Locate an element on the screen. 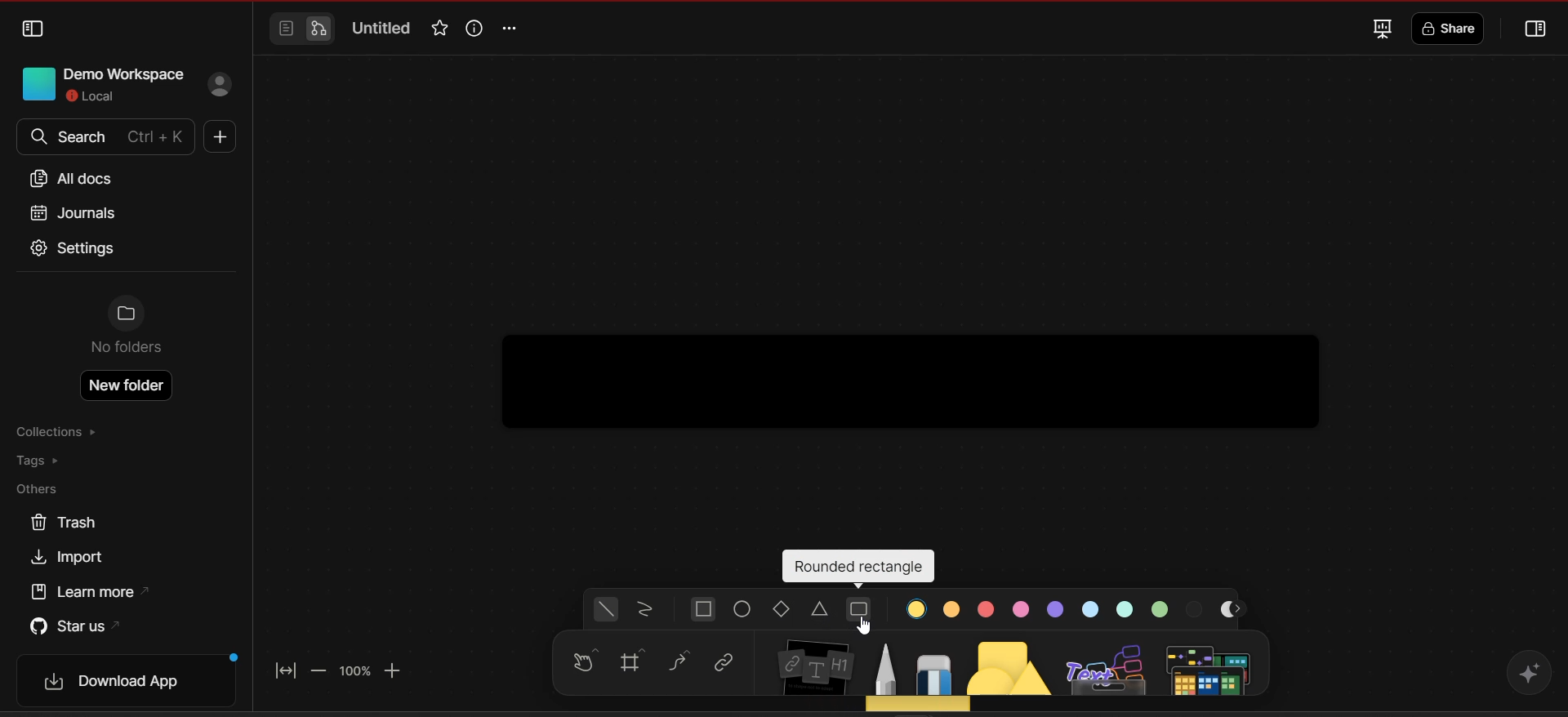 Image resolution: width=1568 pixels, height=717 pixels. general is located at coordinates (607, 610).